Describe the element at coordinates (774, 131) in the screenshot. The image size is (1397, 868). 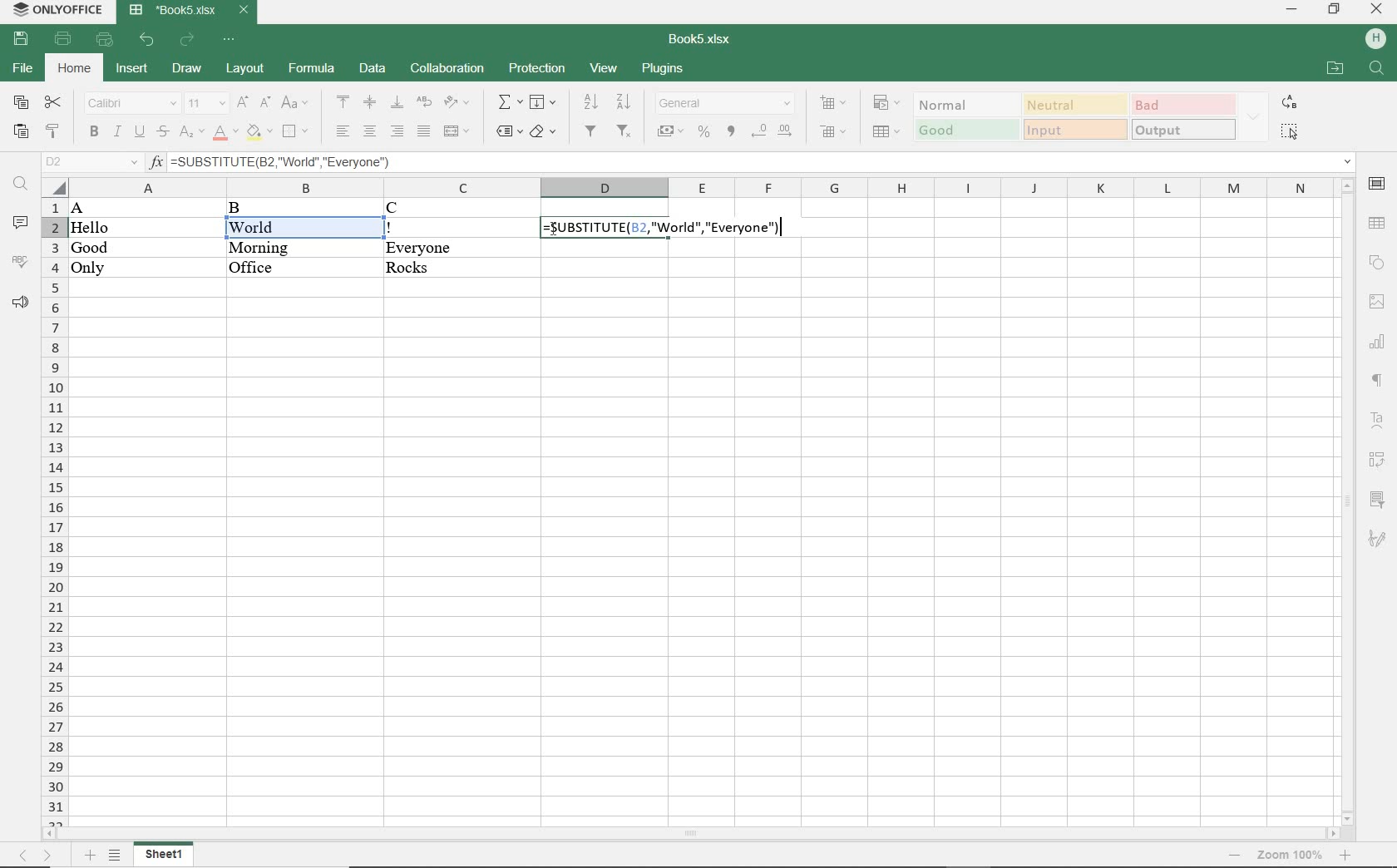
I see `change decimal` at that location.